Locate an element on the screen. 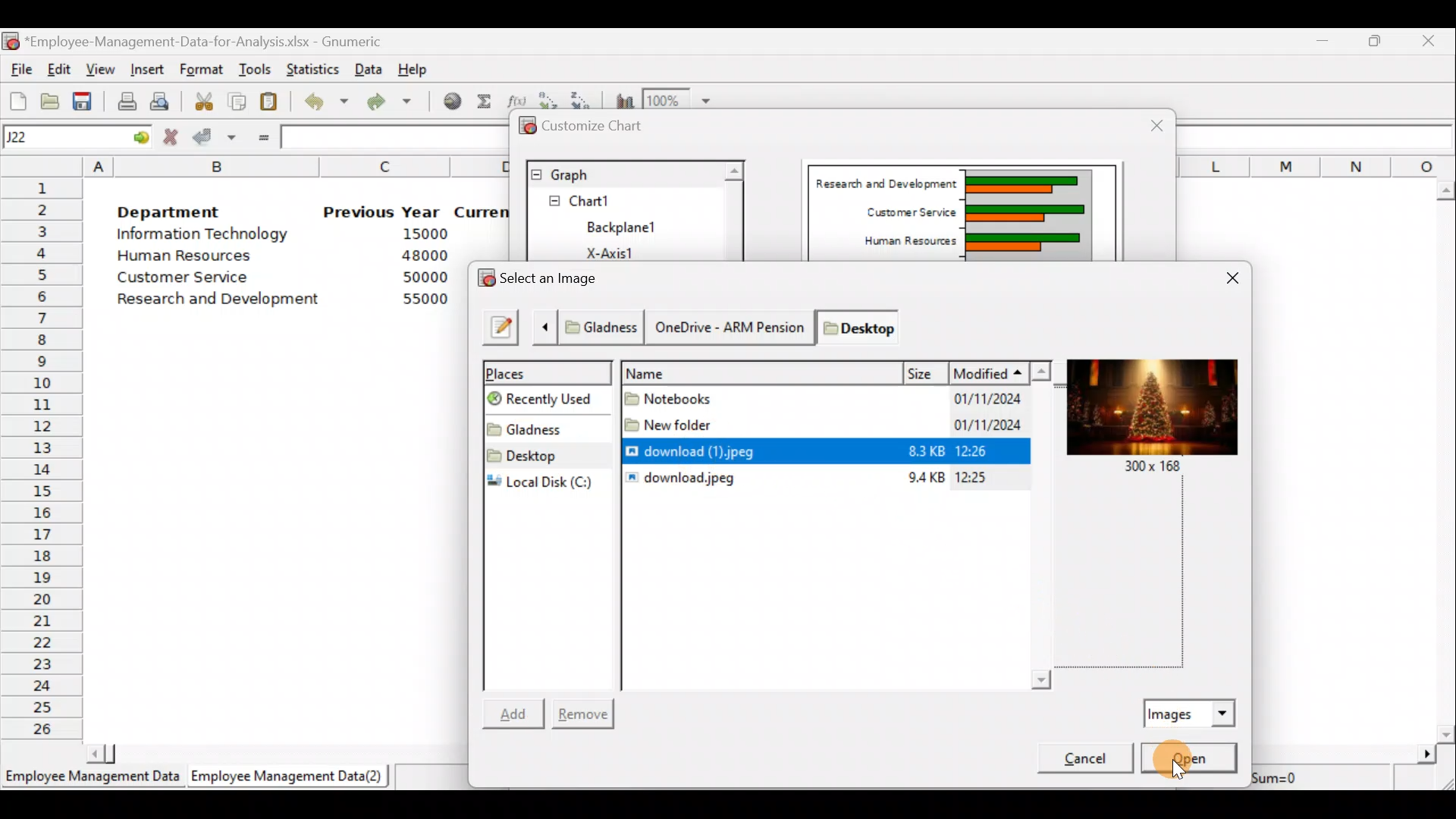 The width and height of the screenshot is (1456, 819). Scroll bar is located at coordinates (1050, 523).